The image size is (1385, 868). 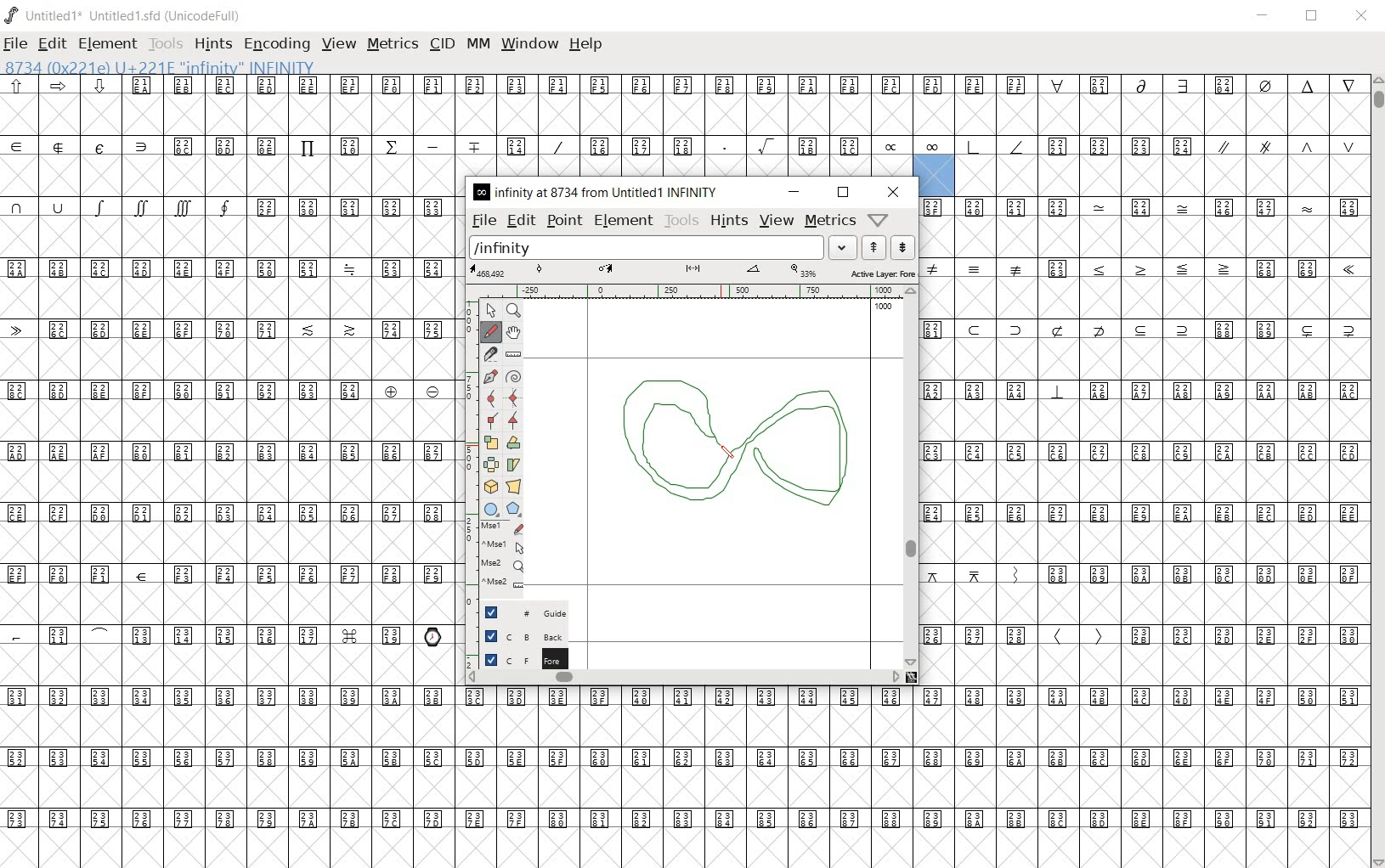 What do you see at coordinates (691, 848) in the screenshot?
I see `edited glyph` at bounding box center [691, 848].